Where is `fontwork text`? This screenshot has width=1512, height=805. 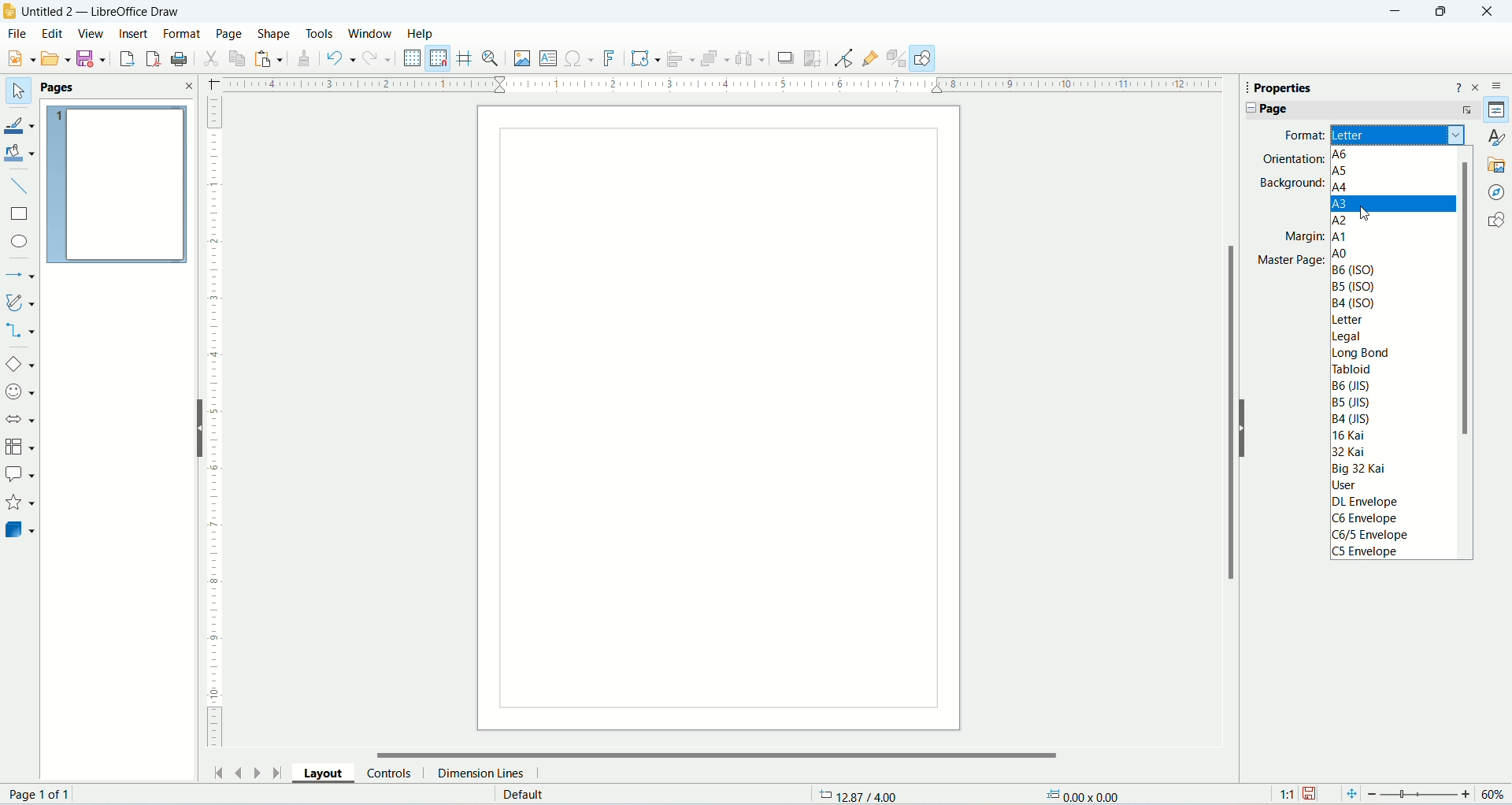
fontwork text is located at coordinates (610, 59).